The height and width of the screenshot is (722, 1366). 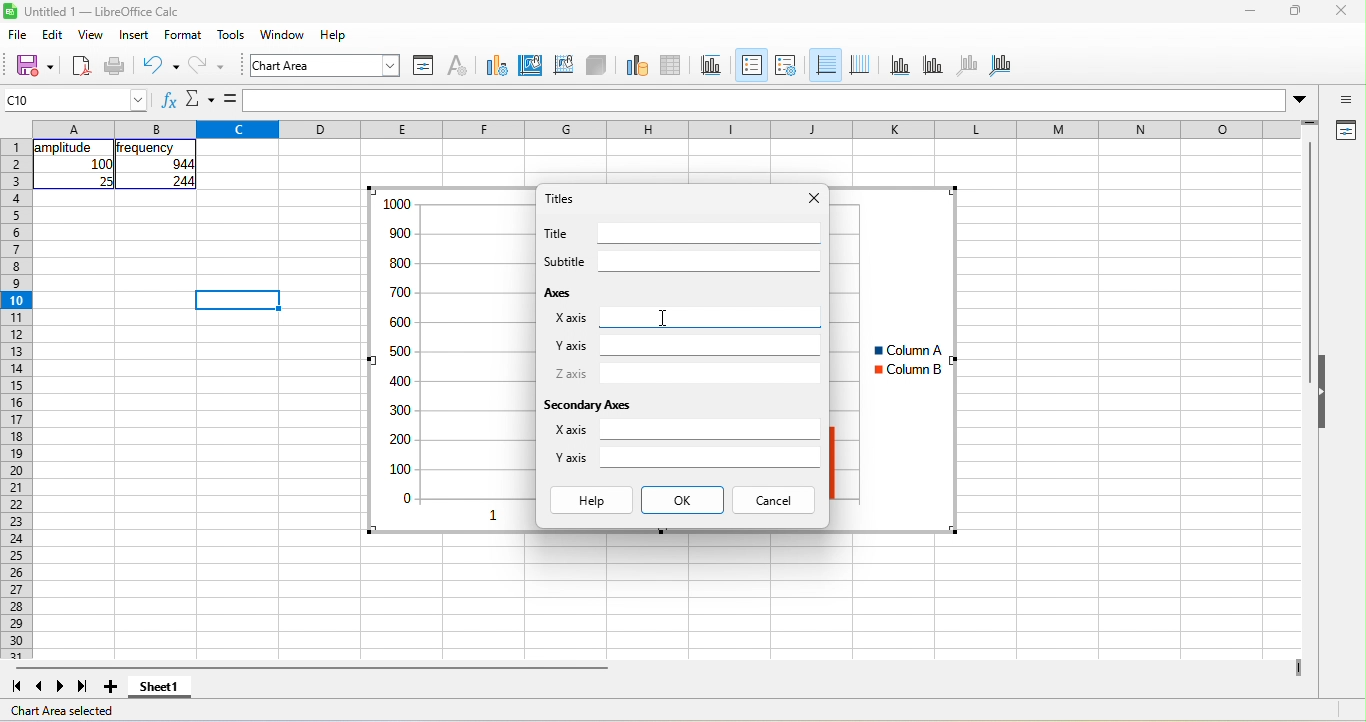 What do you see at coordinates (560, 198) in the screenshot?
I see `titles` at bounding box center [560, 198].